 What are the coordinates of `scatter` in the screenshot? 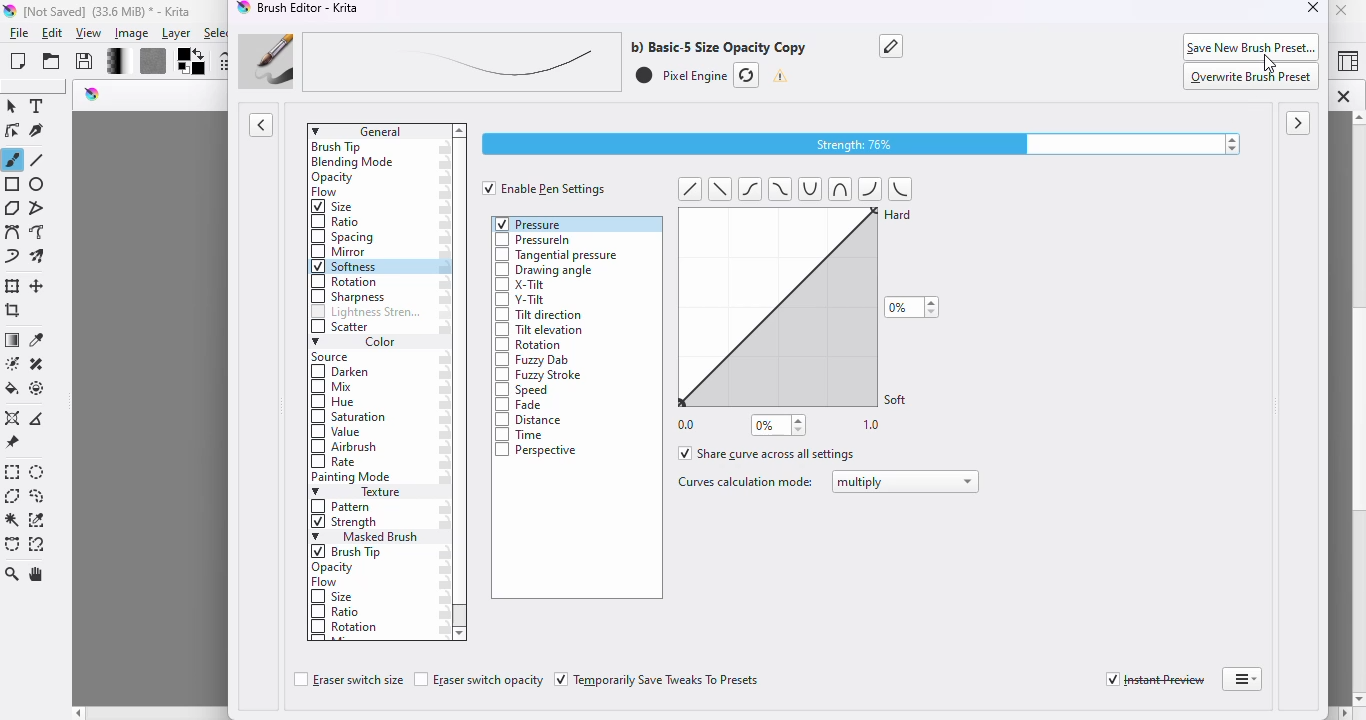 It's located at (341, 328).